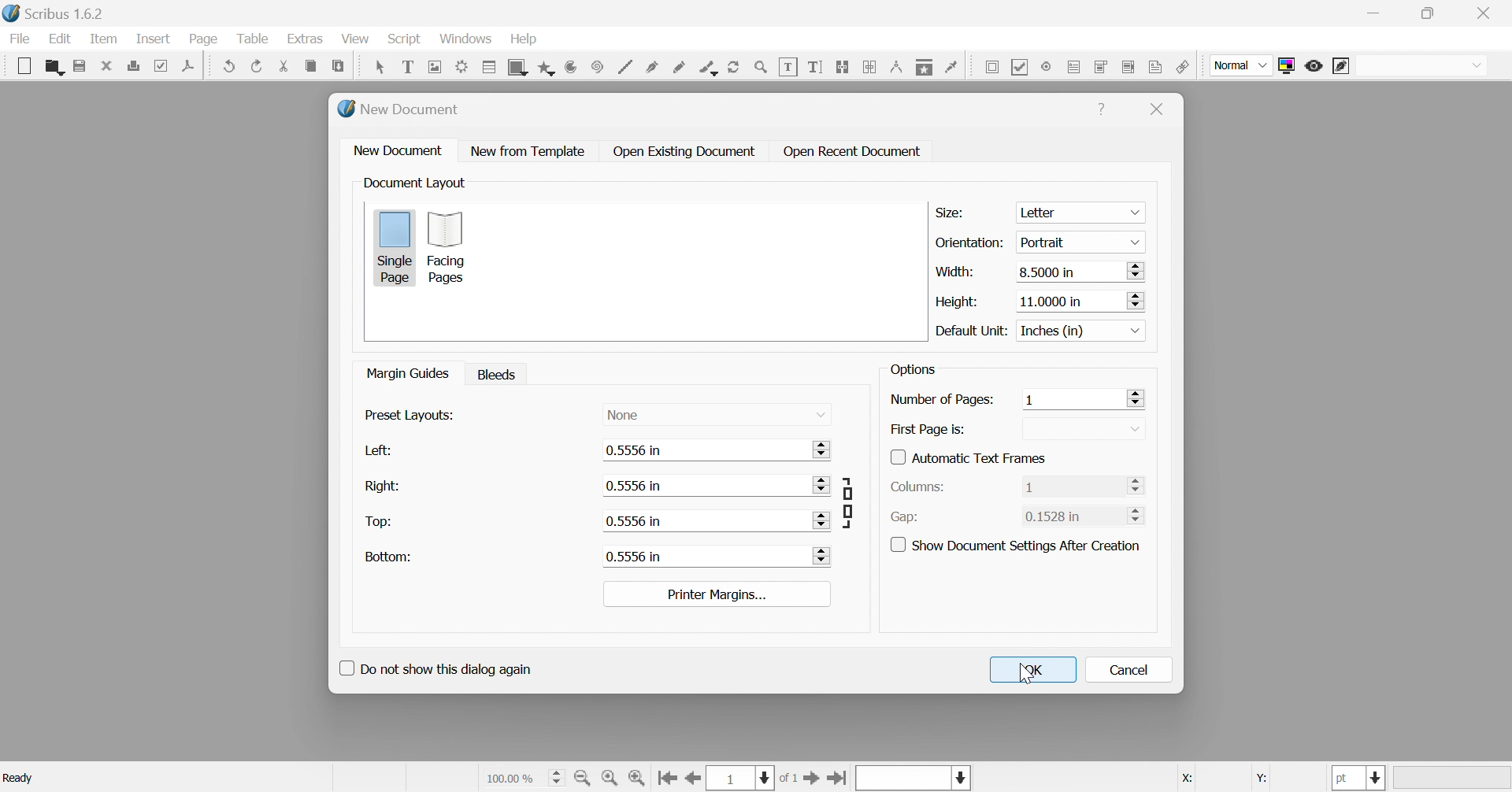 Image resolution: width=1512 pixels, height=792 pixels. Describe the element at coordinates (21, 40) in the screenshot. I see `file` at that location.